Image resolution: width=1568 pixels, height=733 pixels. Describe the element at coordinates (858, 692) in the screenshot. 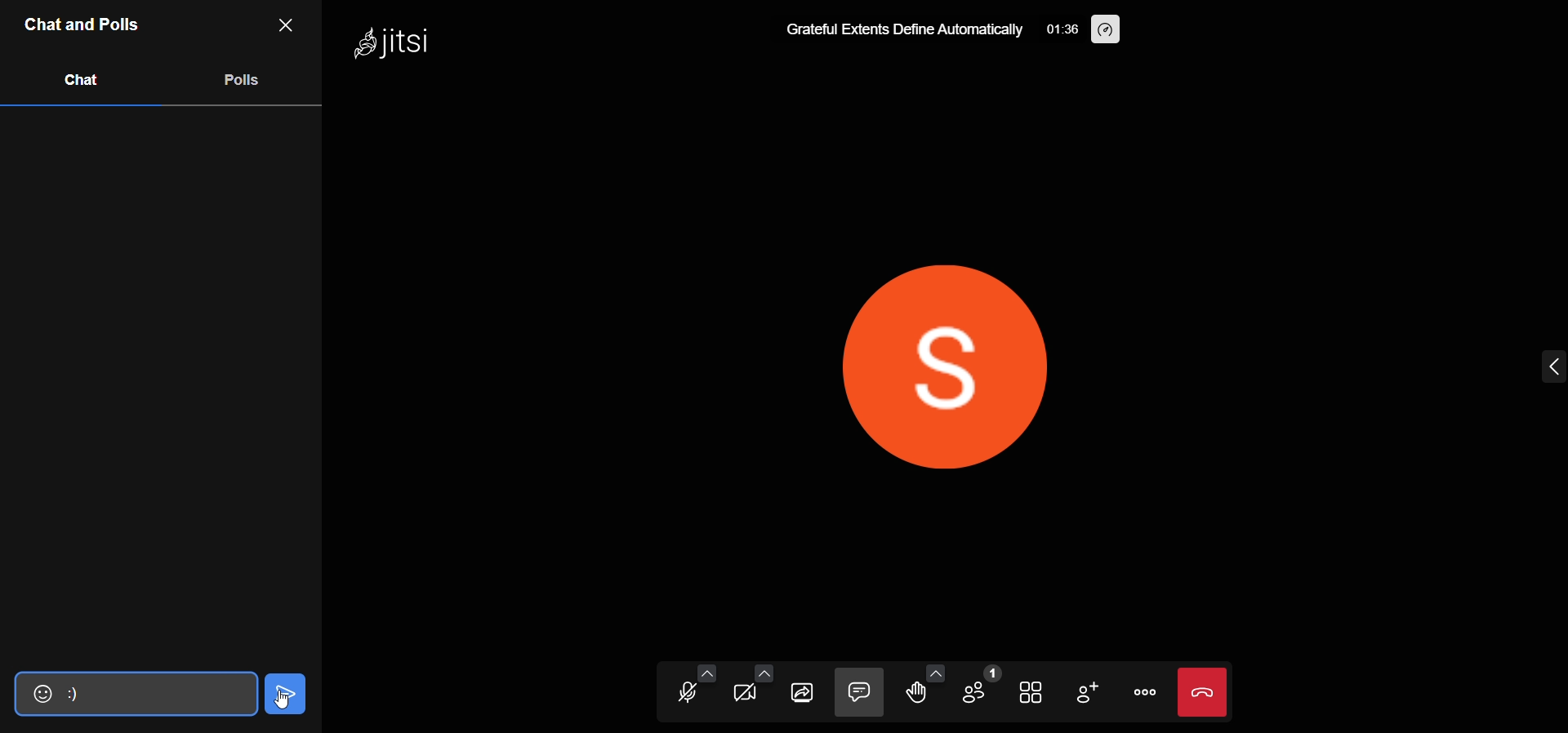

I see `chat` at that location.